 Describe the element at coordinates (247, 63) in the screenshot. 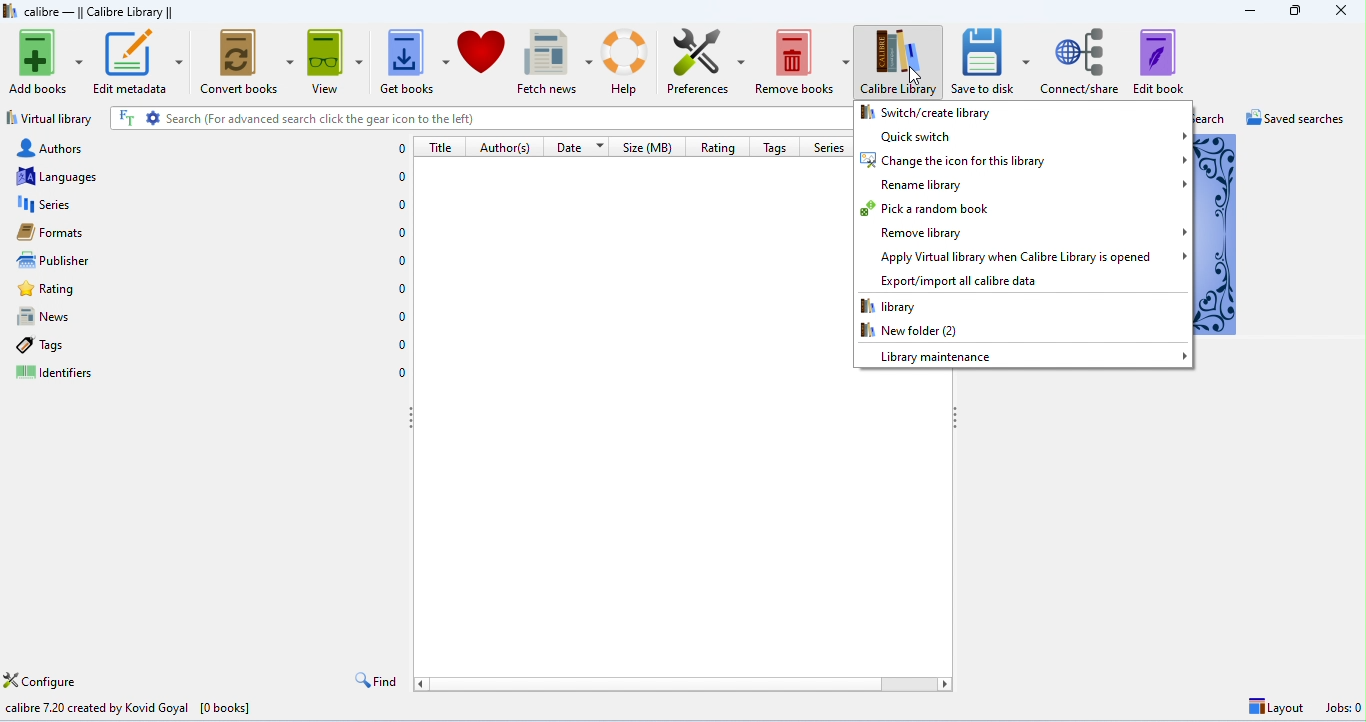

I see `convert metadata` at that location.